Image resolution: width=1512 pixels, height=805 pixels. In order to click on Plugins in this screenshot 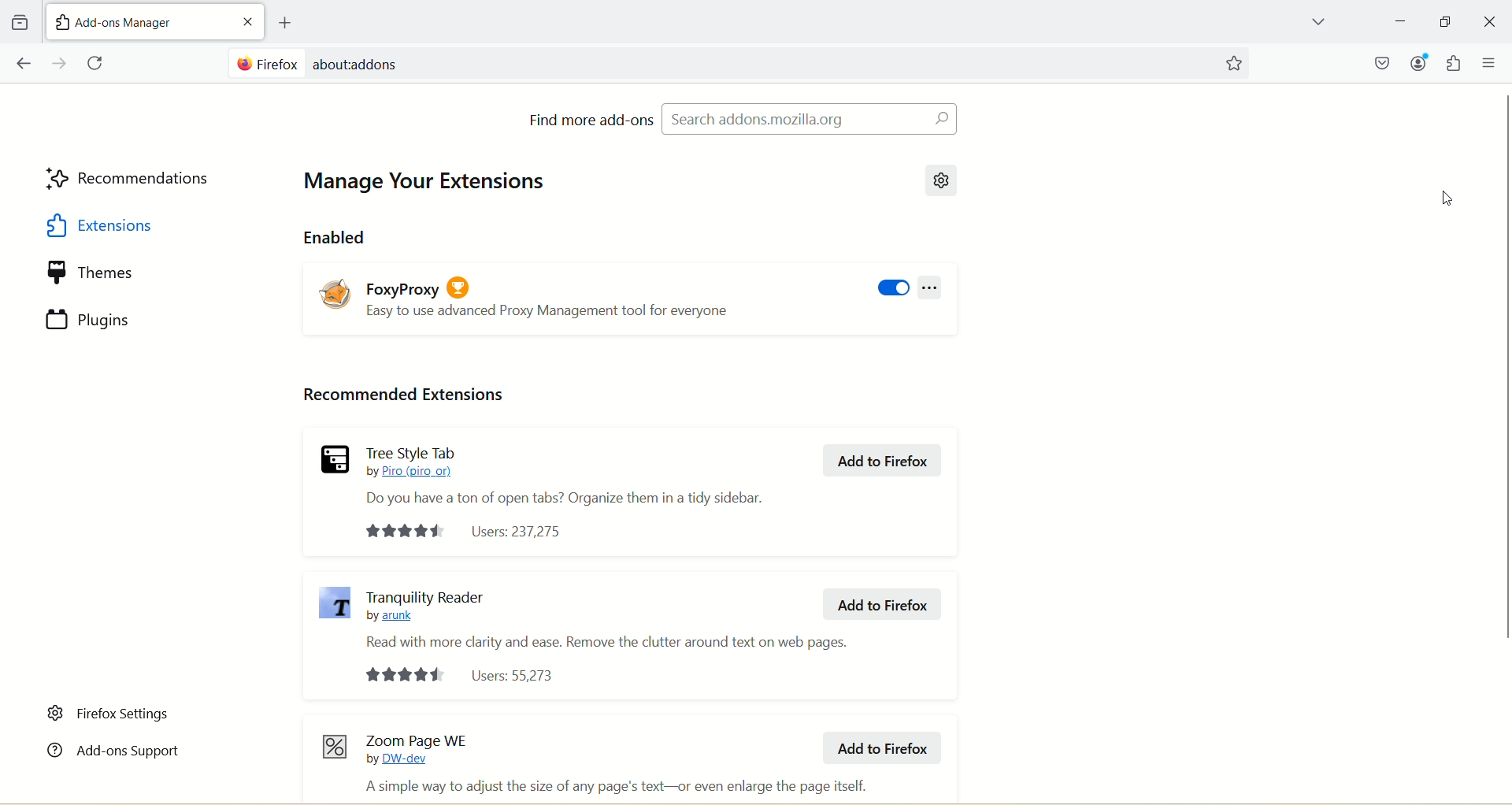, I will do `click(133, 319)`.